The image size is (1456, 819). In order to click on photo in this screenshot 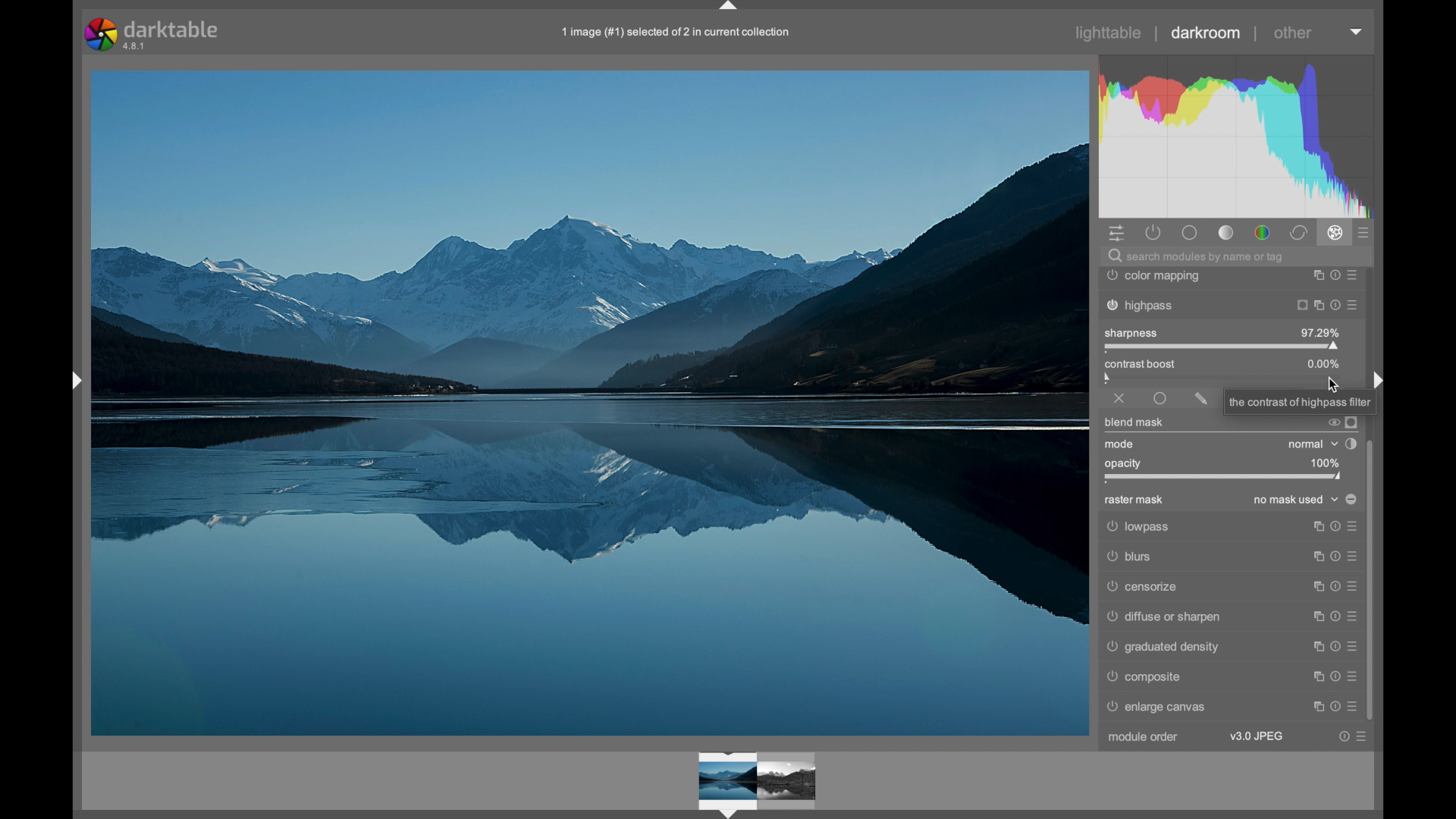, I will do `click(590, 401)`.